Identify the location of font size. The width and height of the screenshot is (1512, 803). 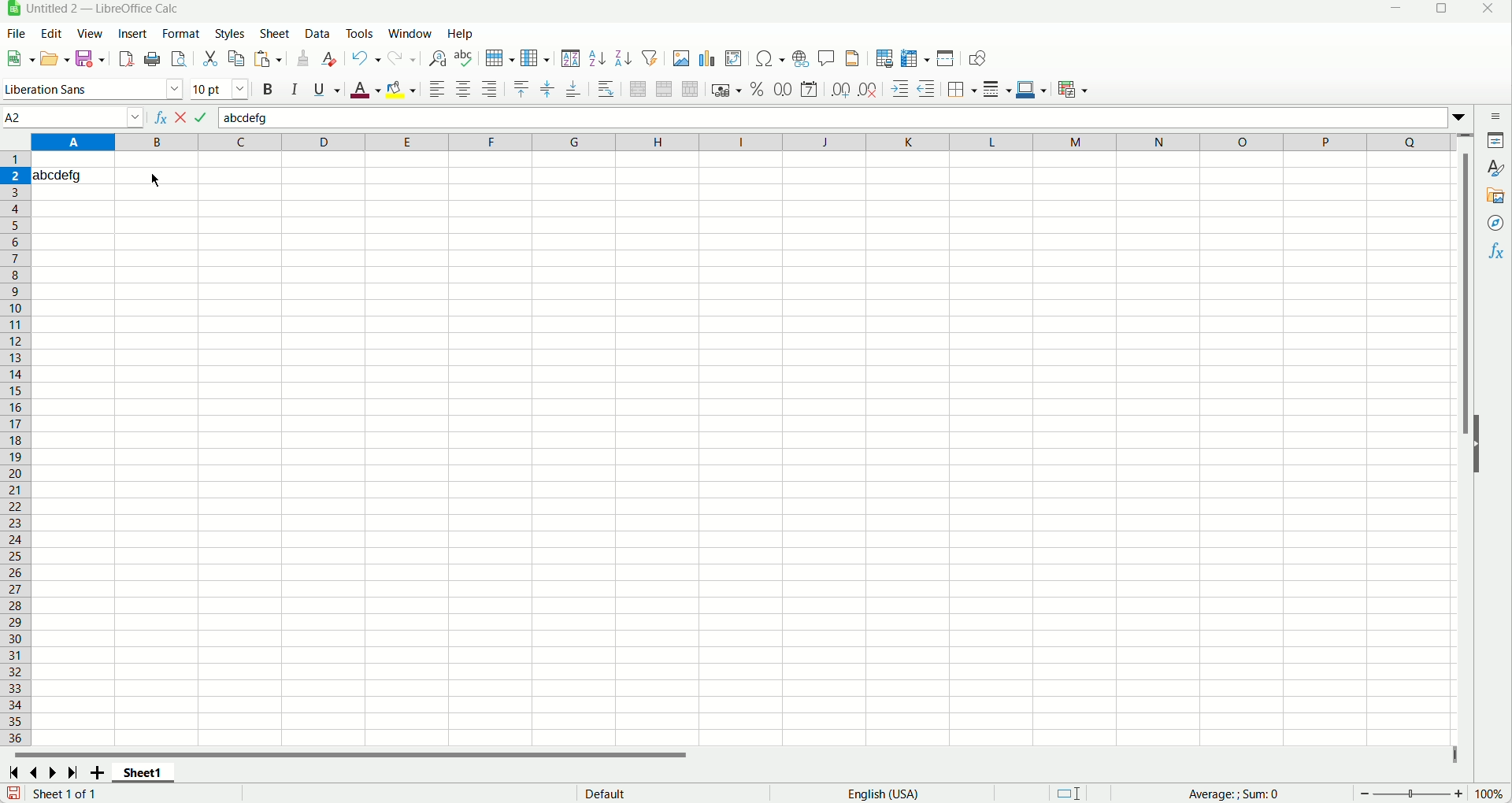
(220, 89).